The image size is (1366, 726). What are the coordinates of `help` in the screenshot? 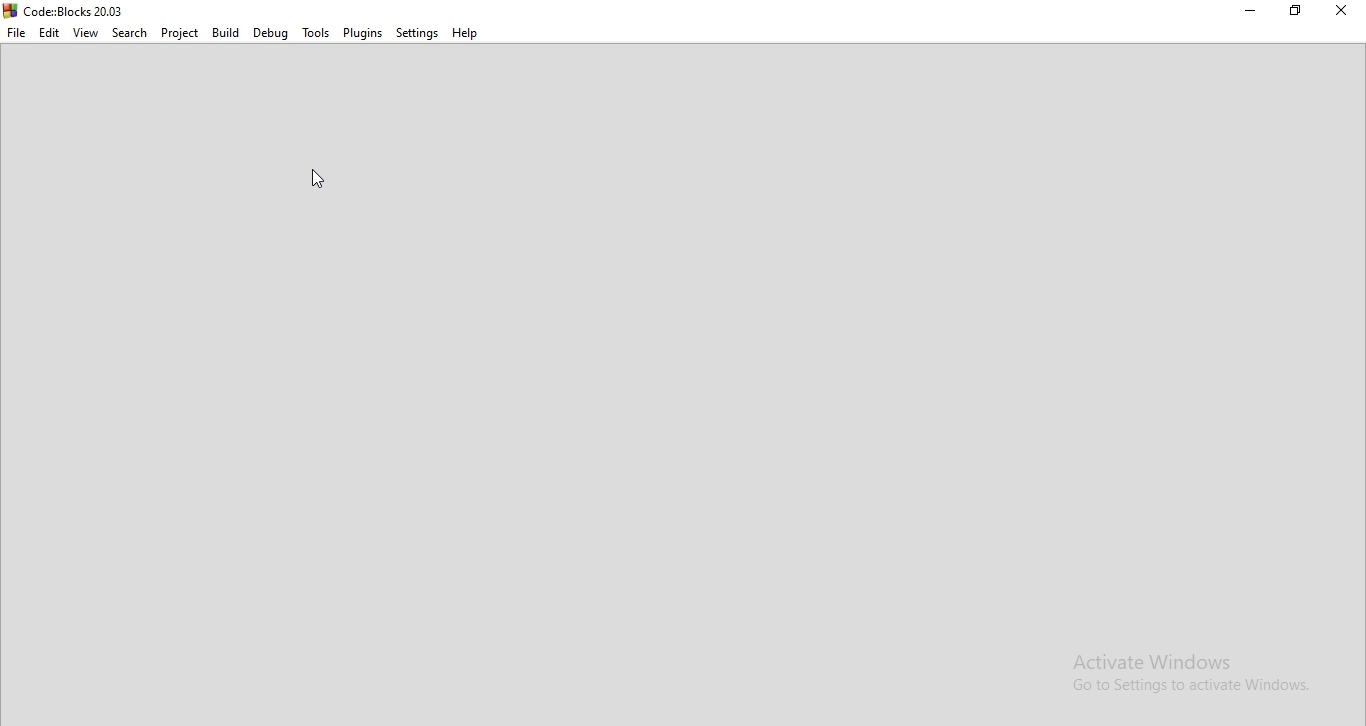 It's located at (465, 35).